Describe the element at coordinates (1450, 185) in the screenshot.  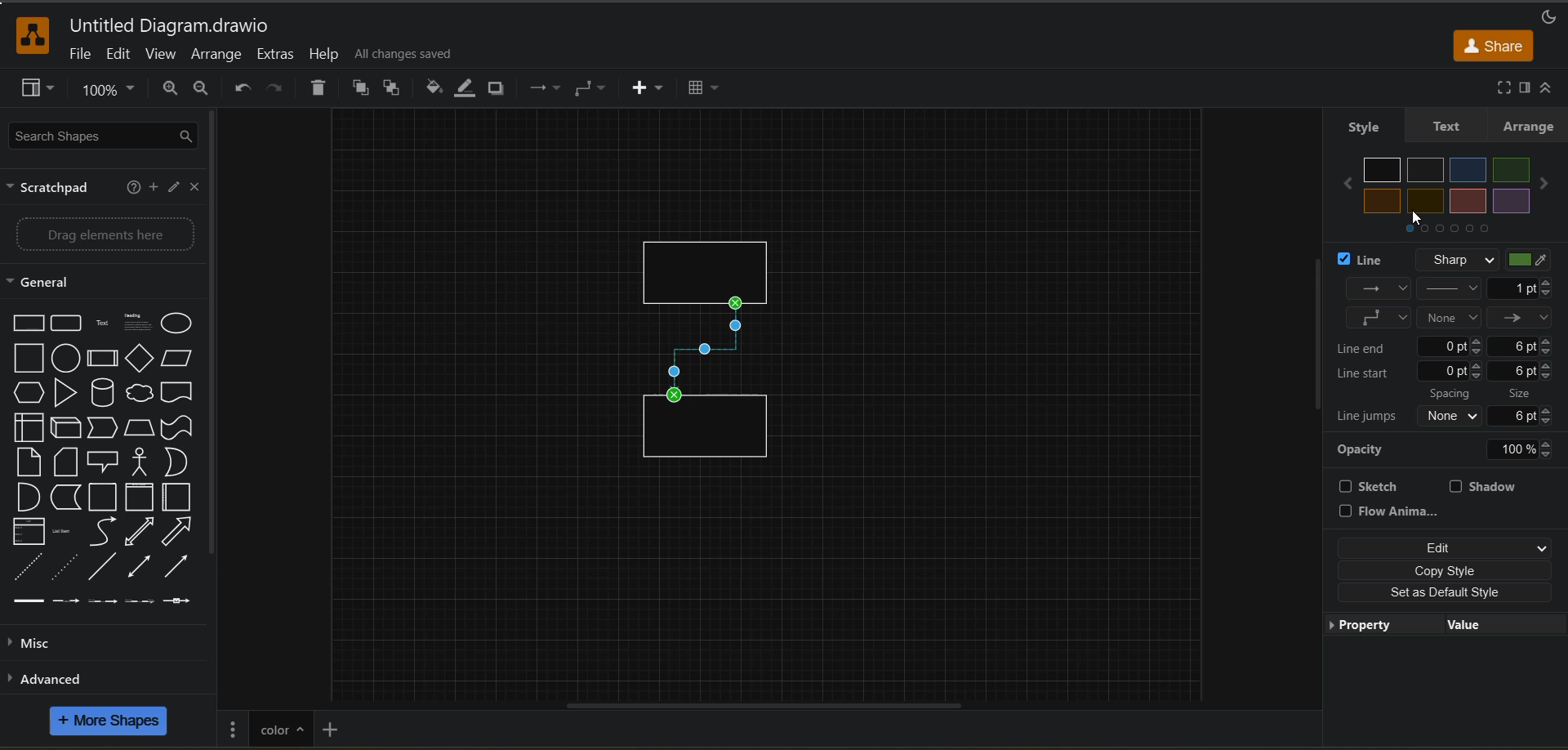
I see `colors` at that location.